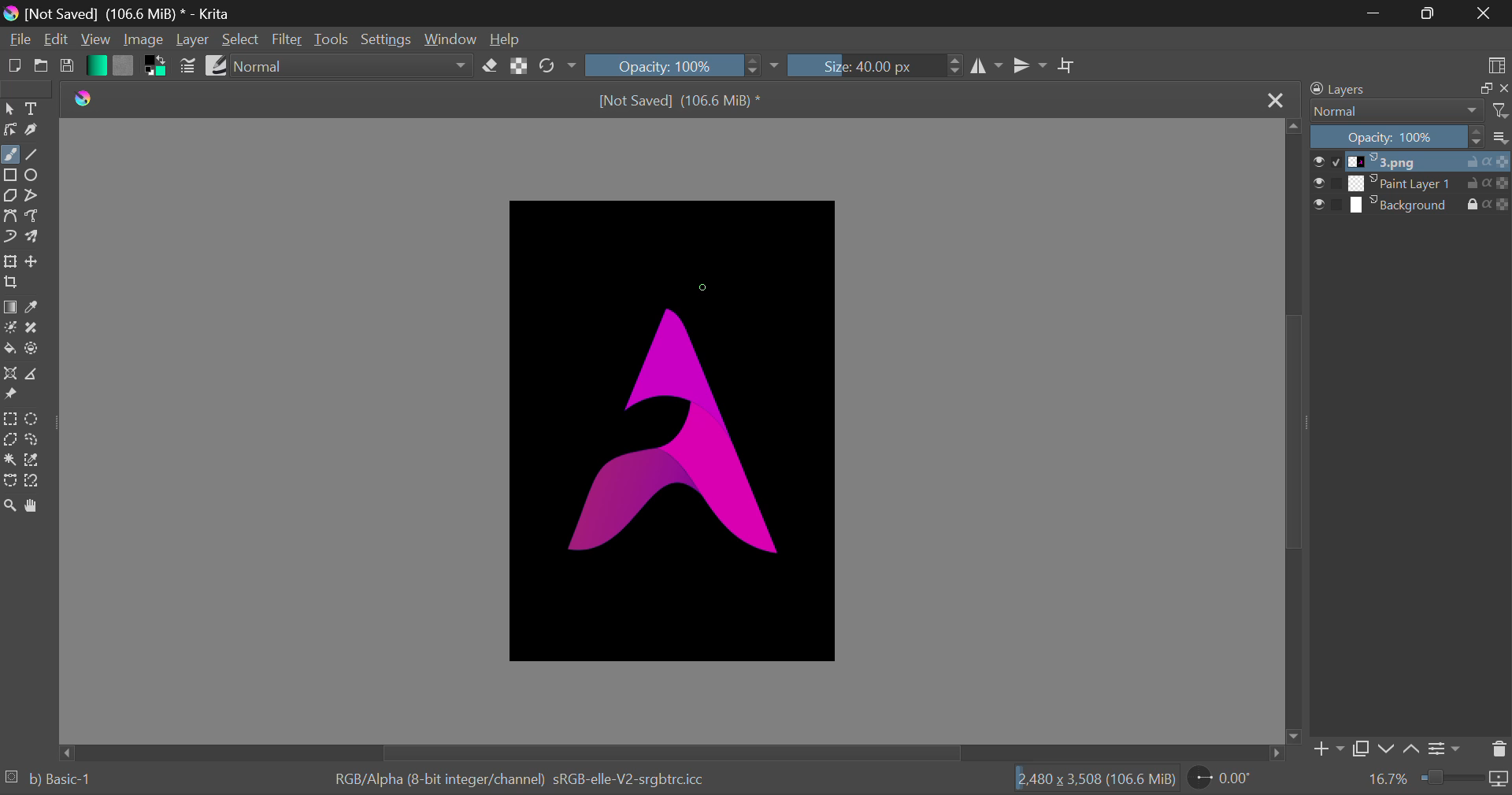 The image size is (1512, 795). What do you see at coordinates (10, 130) in the screenshot?
I see `Edit Shapes` at bounding box center [10, 130].